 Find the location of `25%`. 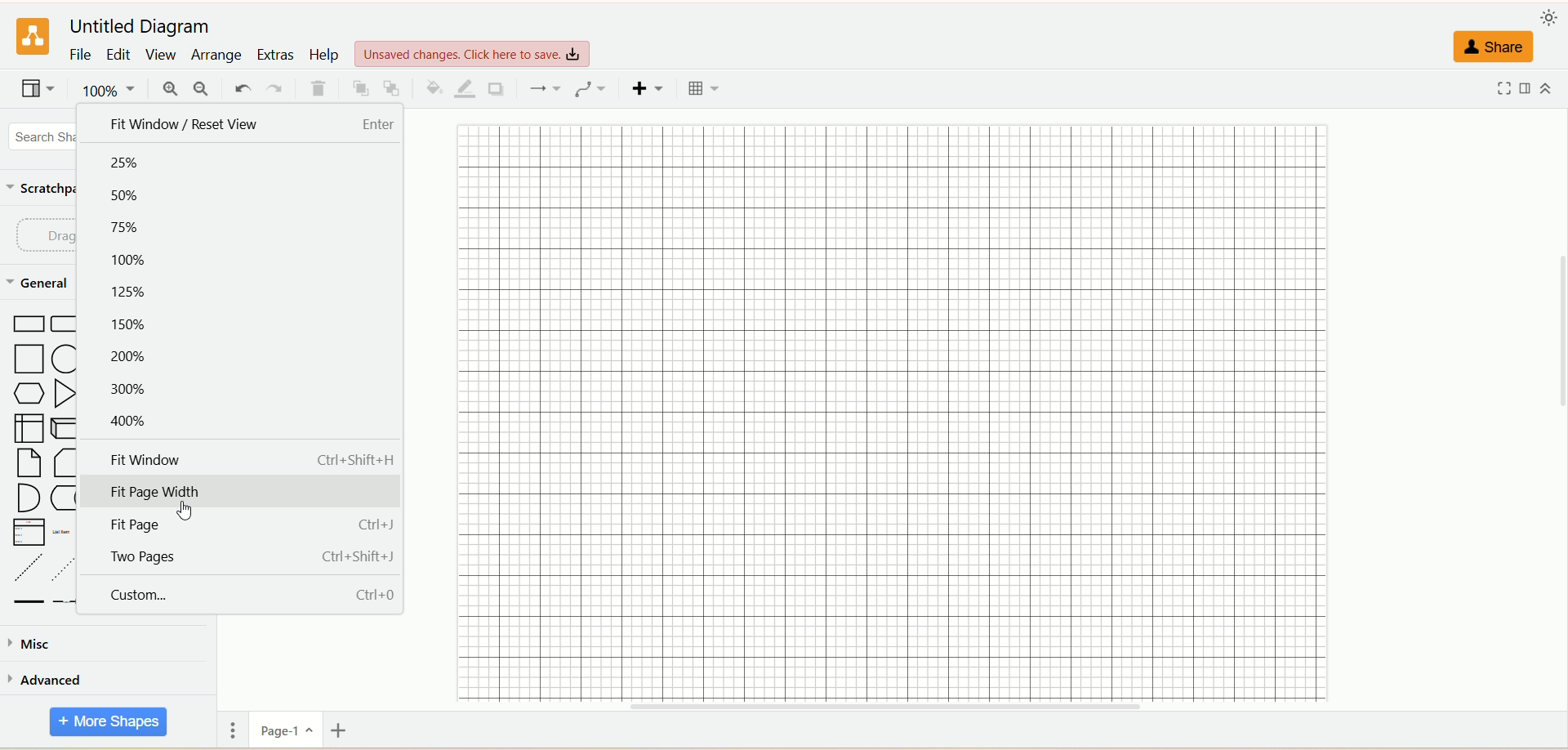

25% is located at coordinates (126, 164).